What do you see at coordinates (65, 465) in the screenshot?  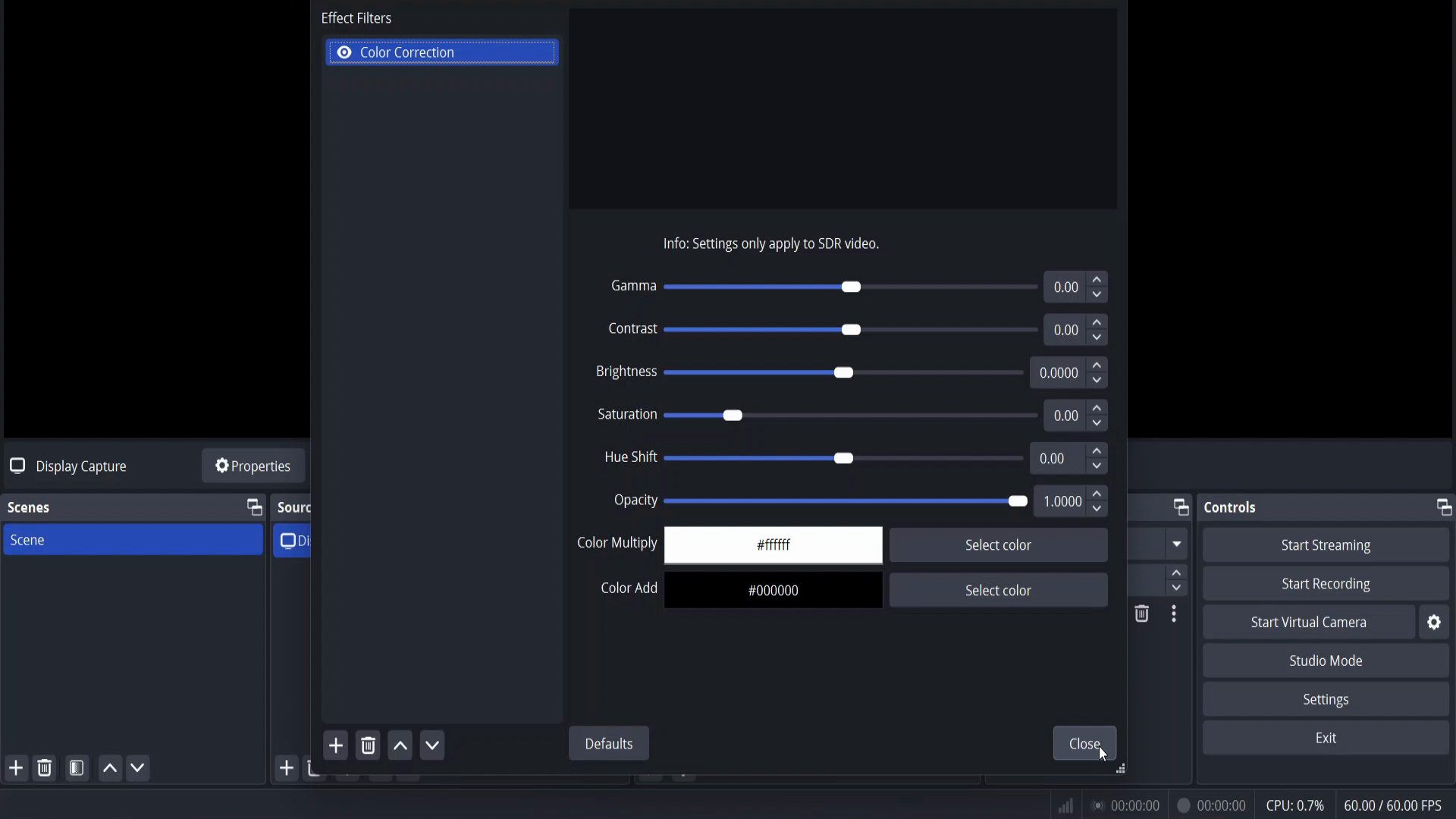 I see `no source selected` at bounding box center [65, 465].